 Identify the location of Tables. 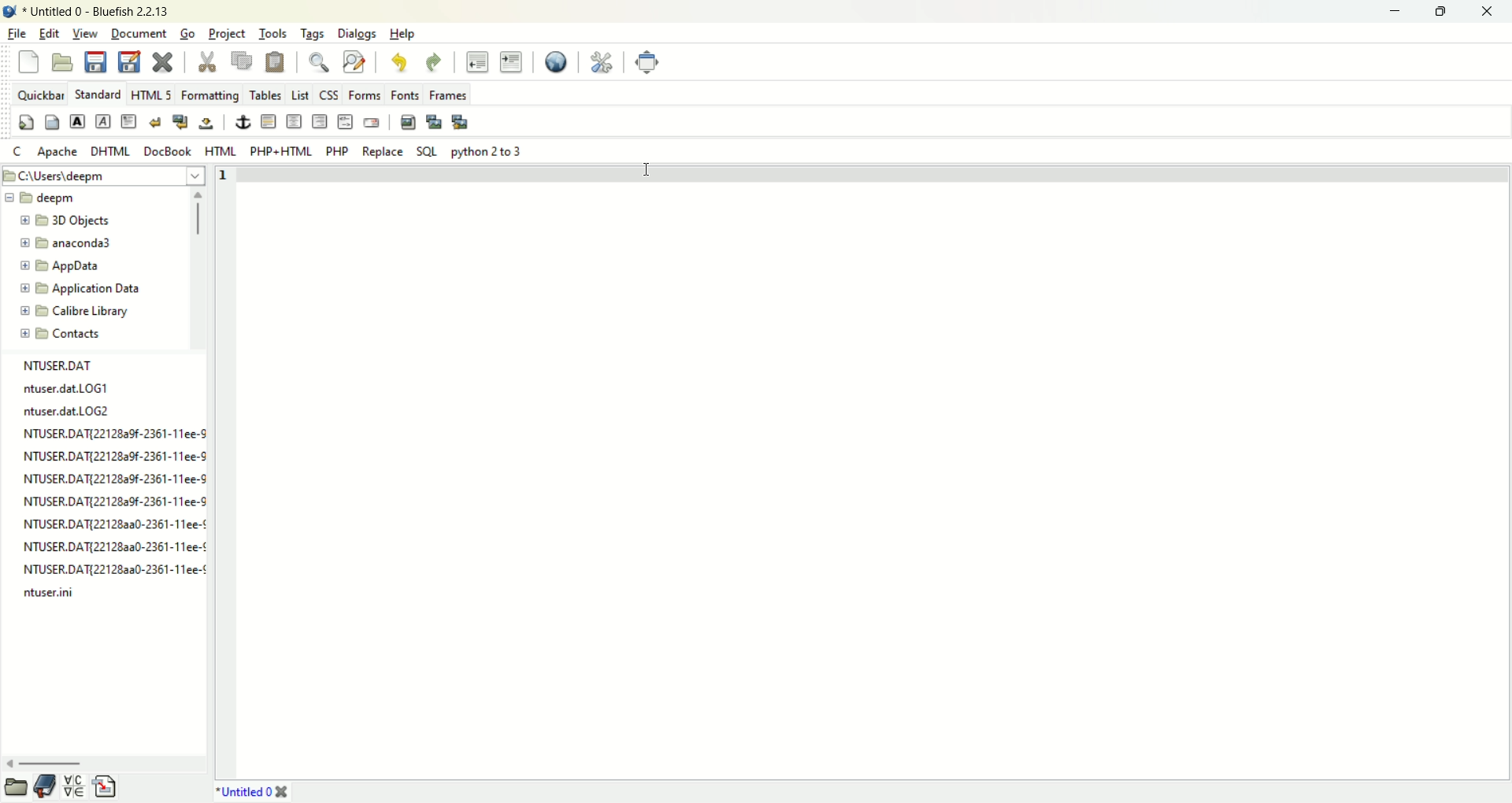
(265, 95).